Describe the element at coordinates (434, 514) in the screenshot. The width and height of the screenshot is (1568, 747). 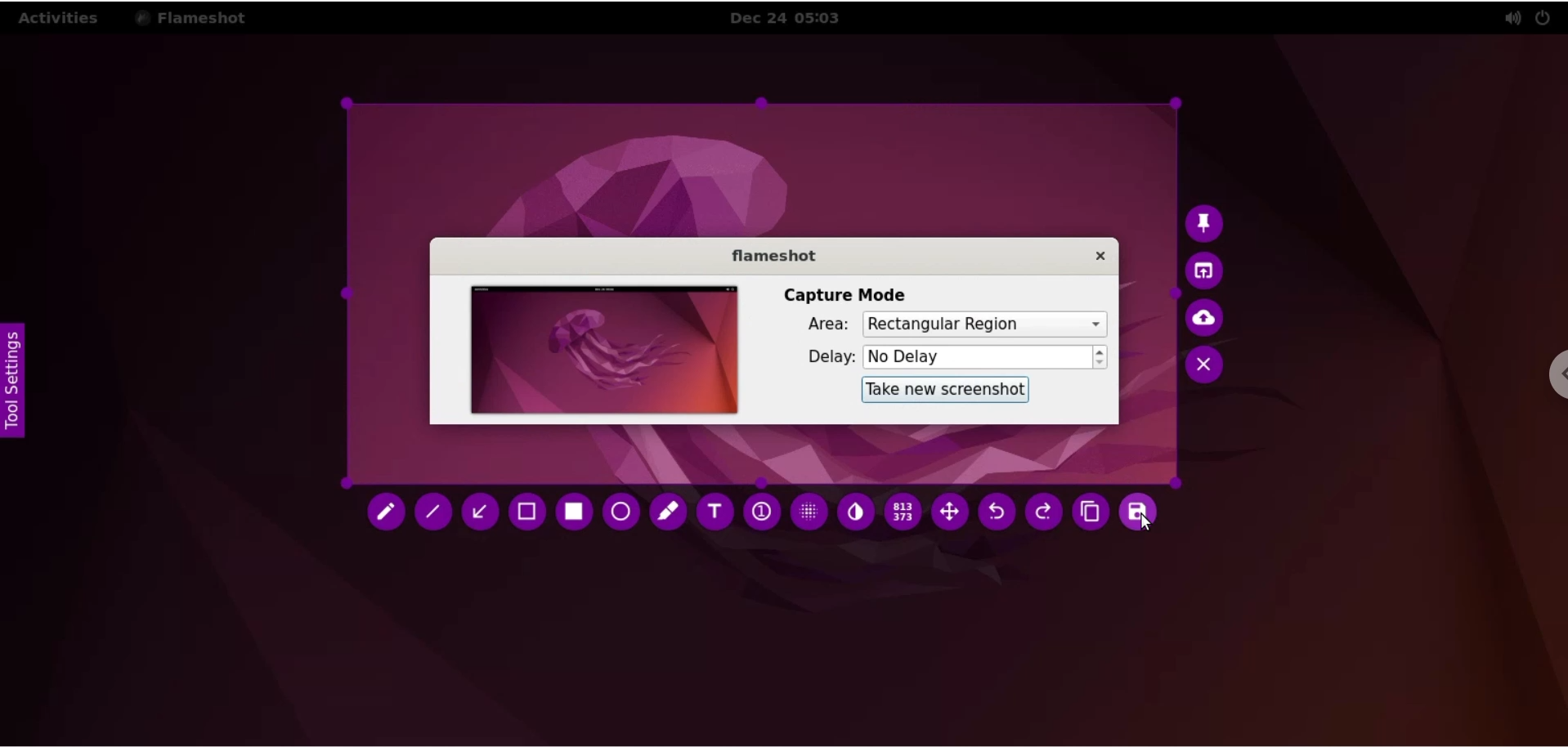
I see `line` at that location.